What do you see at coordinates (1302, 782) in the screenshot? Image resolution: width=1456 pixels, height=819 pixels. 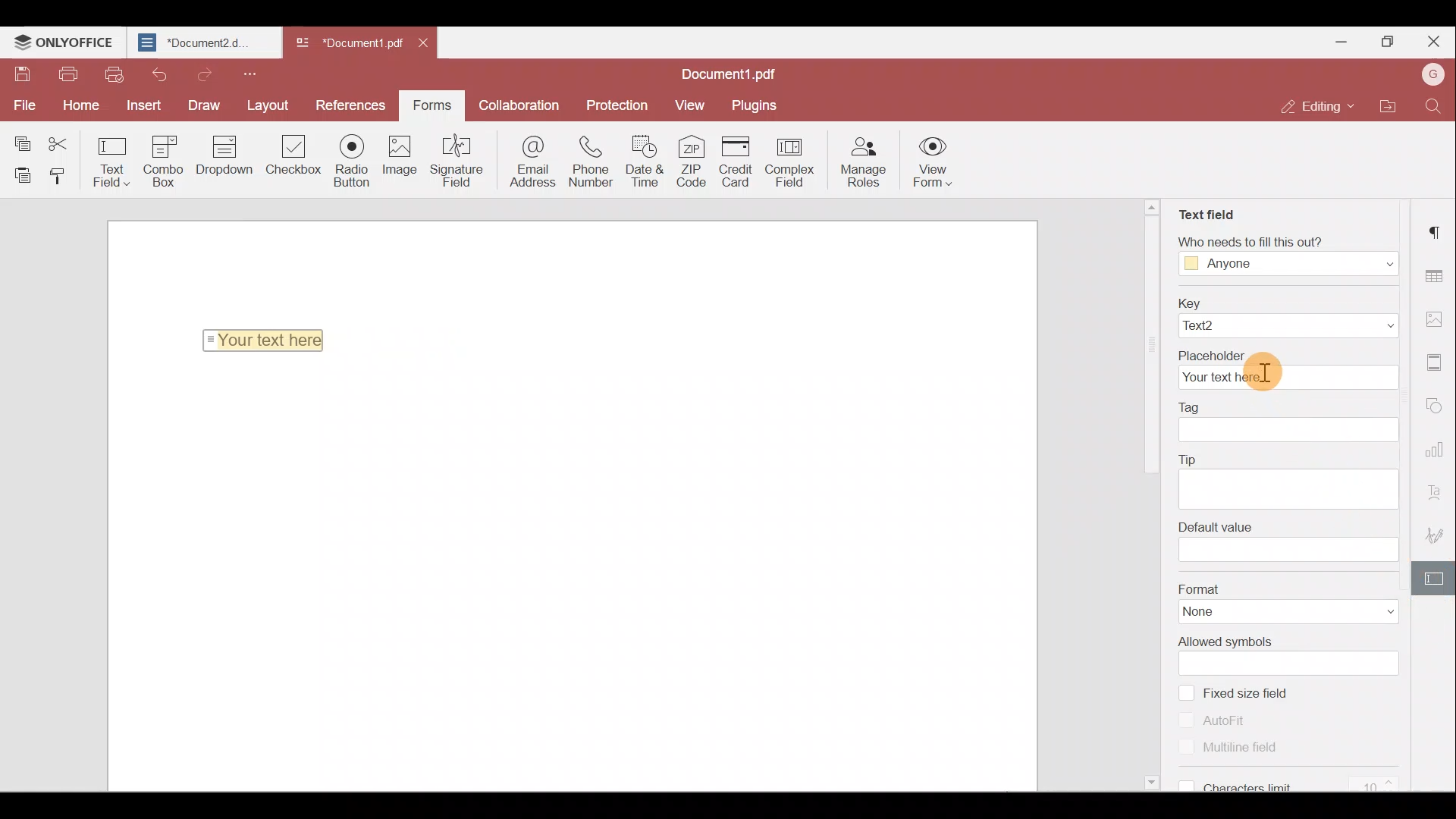 I see `Characters limit` at bounding box center [1302, 782].